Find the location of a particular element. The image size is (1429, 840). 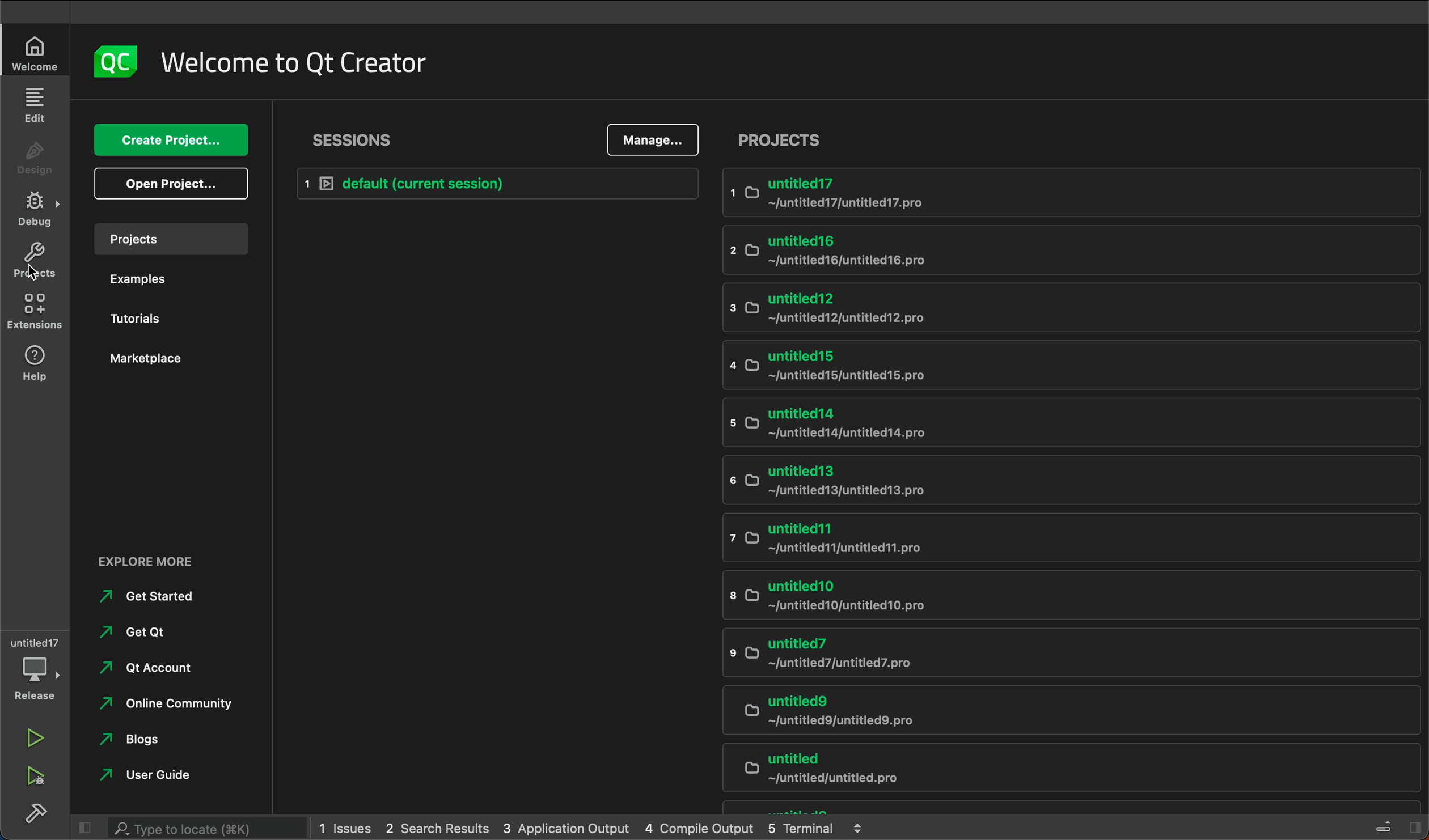

create is located at coordinates (174, 142).